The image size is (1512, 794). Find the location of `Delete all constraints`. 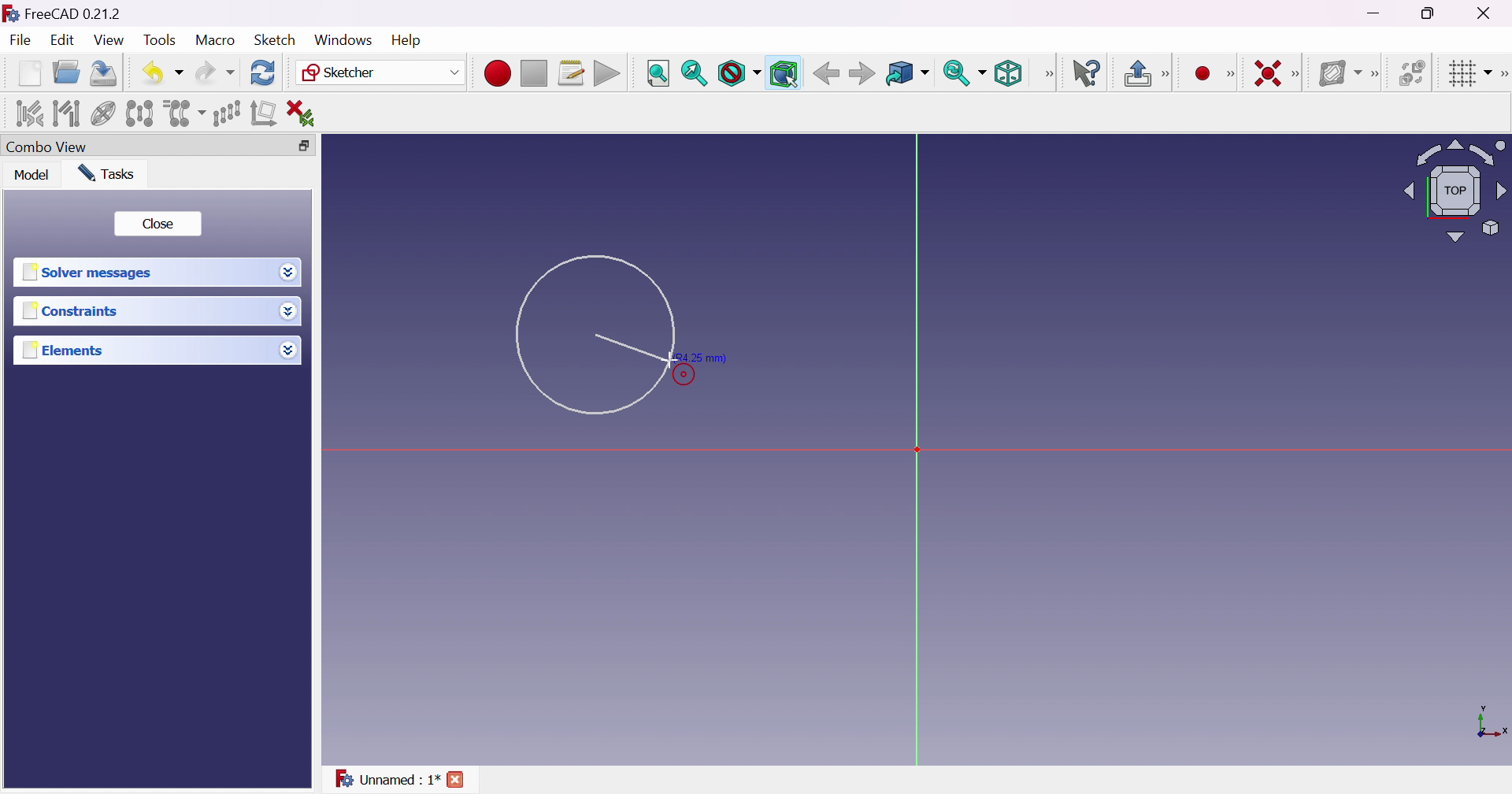

Delete all constraints is located at coordinates (307, 113).